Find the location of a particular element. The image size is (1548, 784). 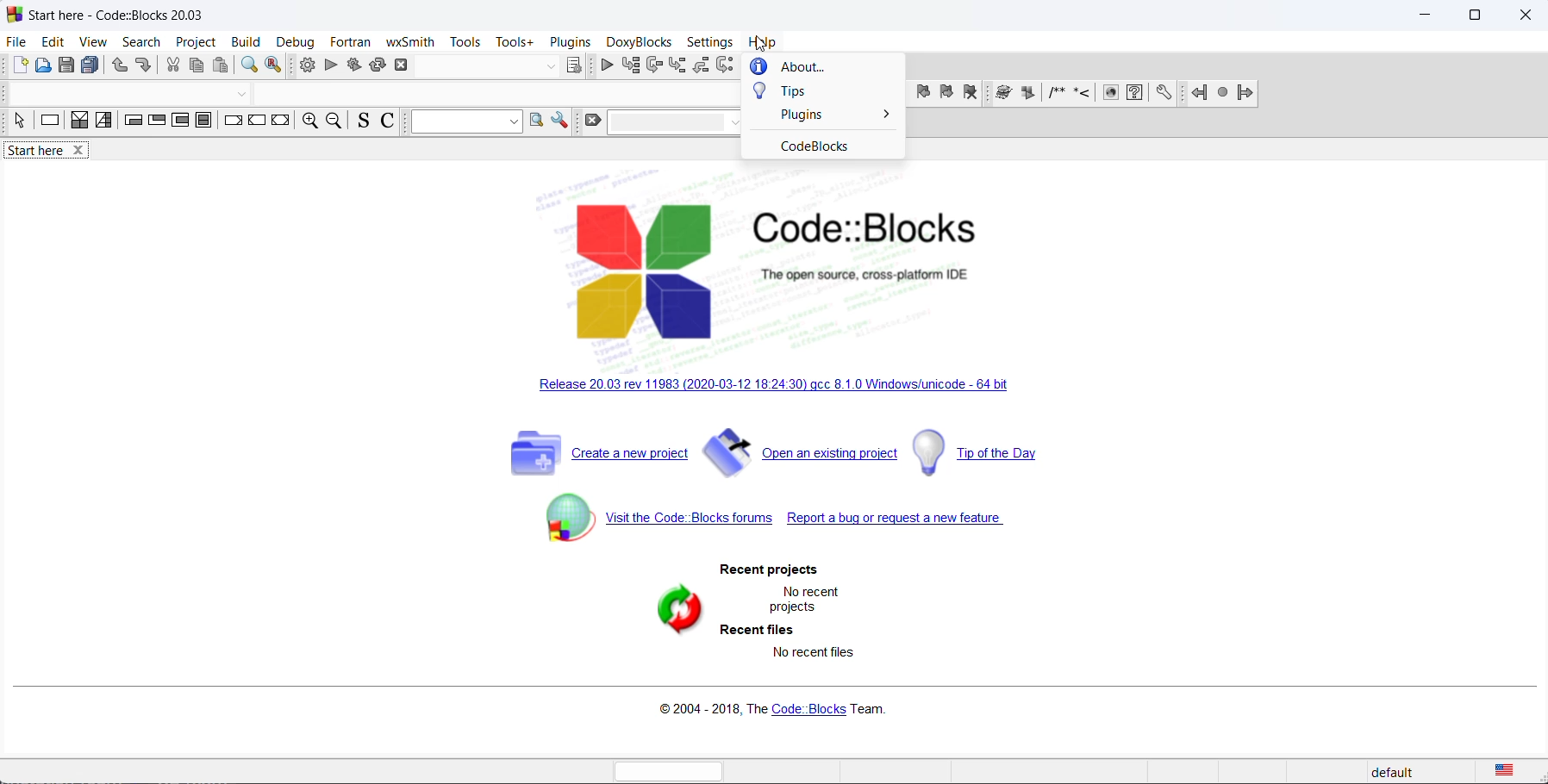

run is located at coordinates (330, 66).